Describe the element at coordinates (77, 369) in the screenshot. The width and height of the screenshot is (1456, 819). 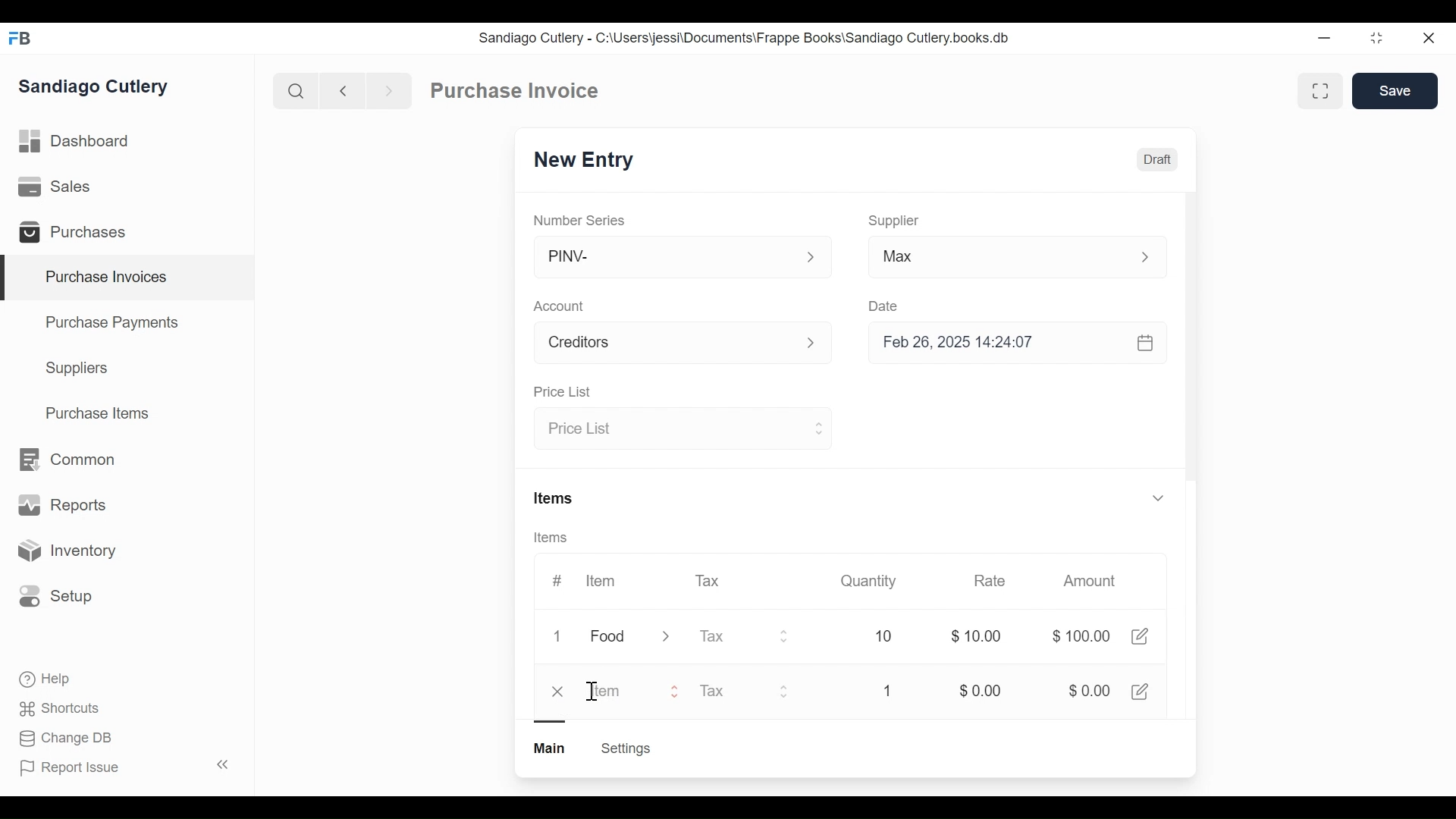
I see `Suppliers` at that location.